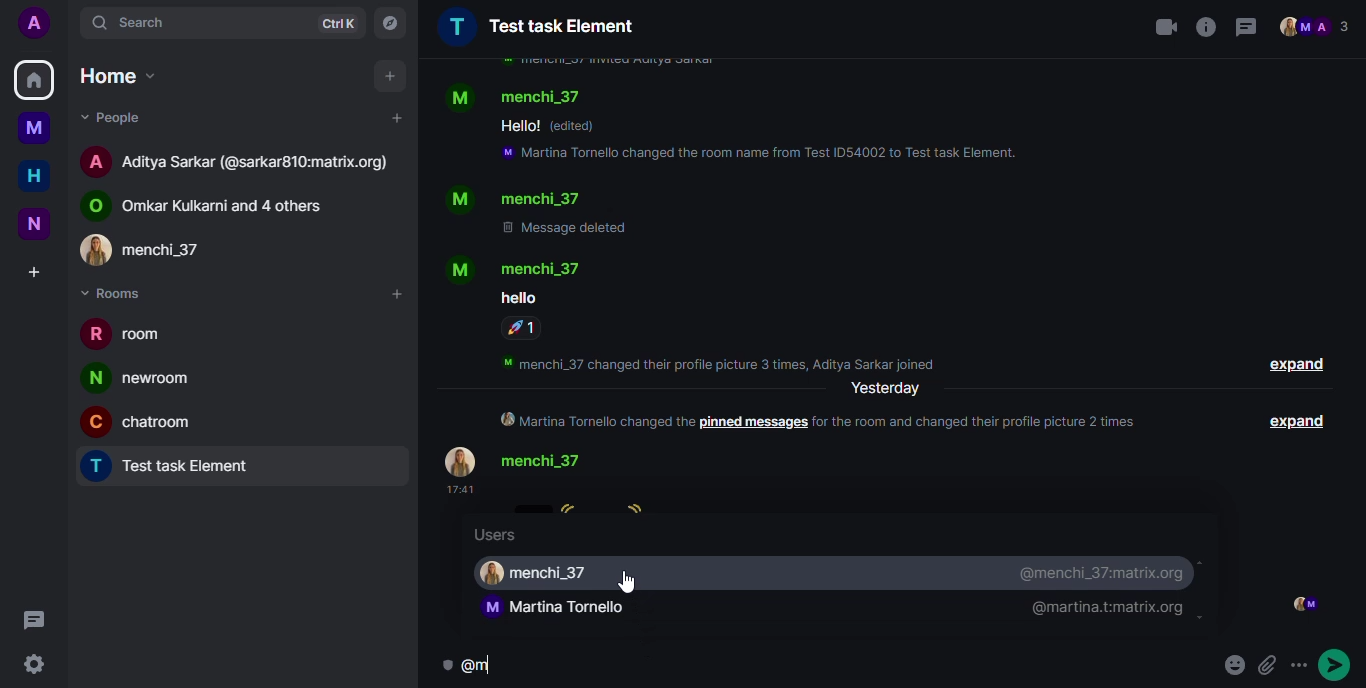 This screenshot has width=1366, height=688. I want to click on home drop down, so click(116, 74).